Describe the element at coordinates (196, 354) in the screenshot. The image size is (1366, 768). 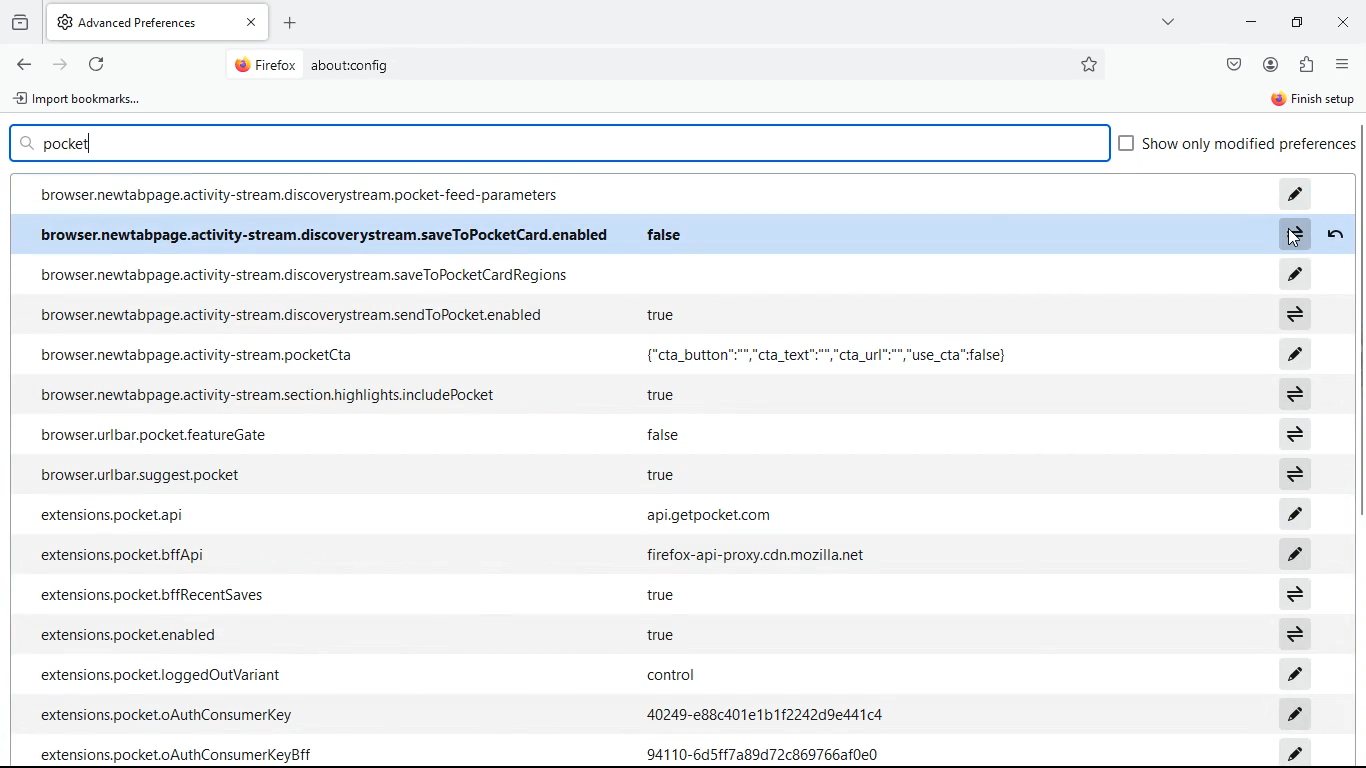
I see `browser.newtabpage.activity-stream.pocketCta` at that location.